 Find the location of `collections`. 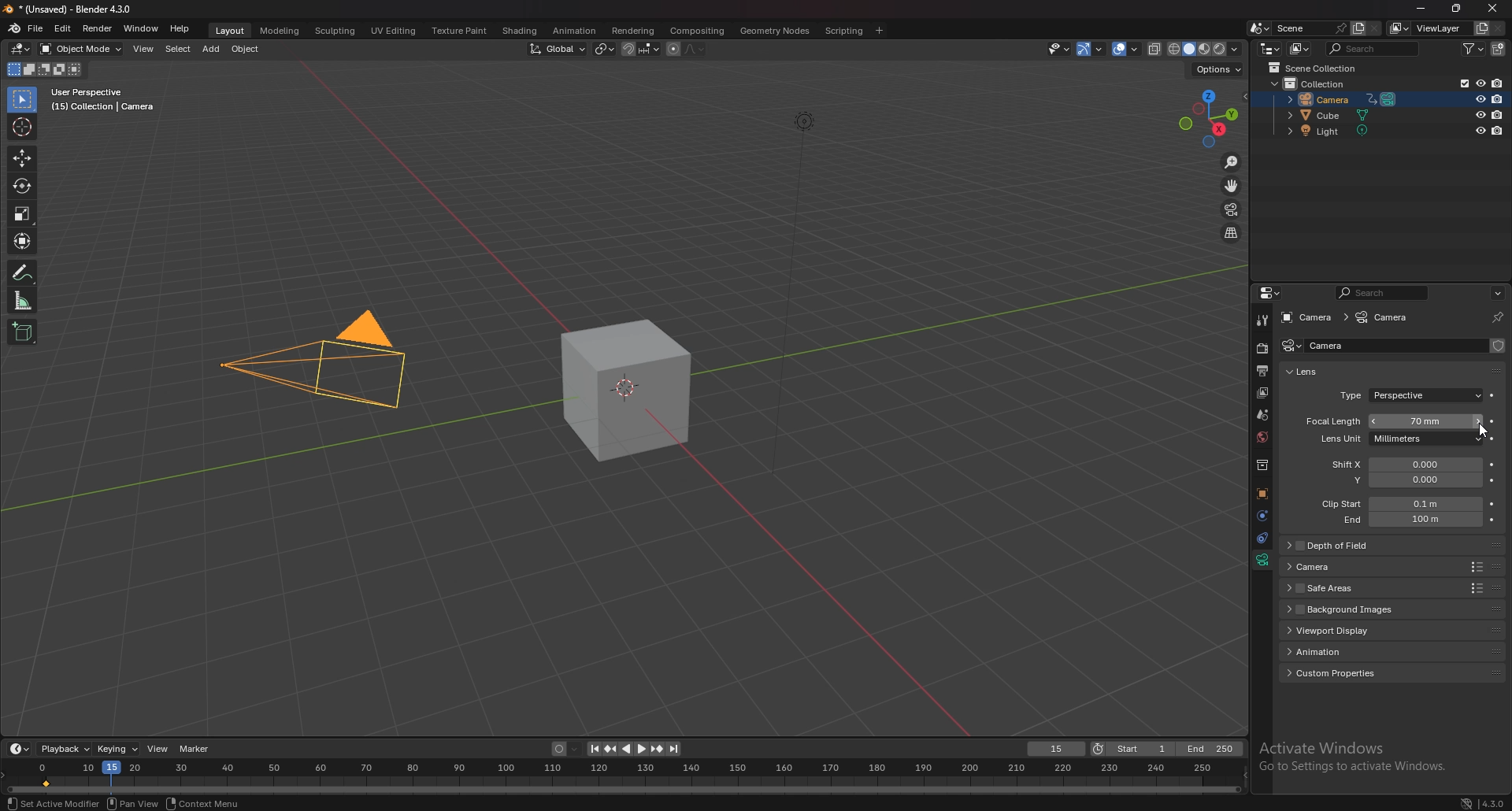

collections is located at coordinates (1262, 466).